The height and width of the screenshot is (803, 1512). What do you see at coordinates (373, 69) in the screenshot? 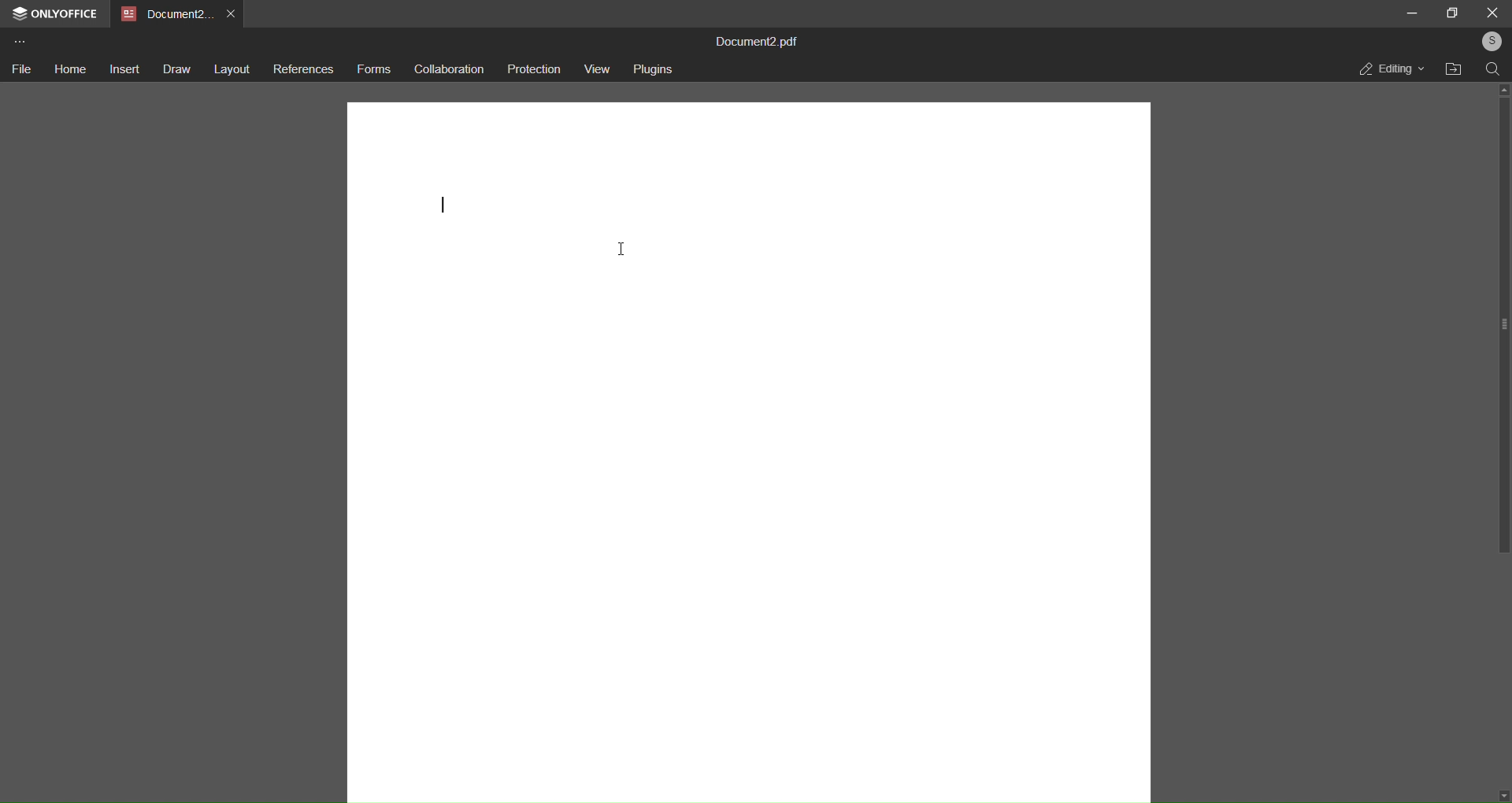
I see `forms` at bounding box center [373, 69].